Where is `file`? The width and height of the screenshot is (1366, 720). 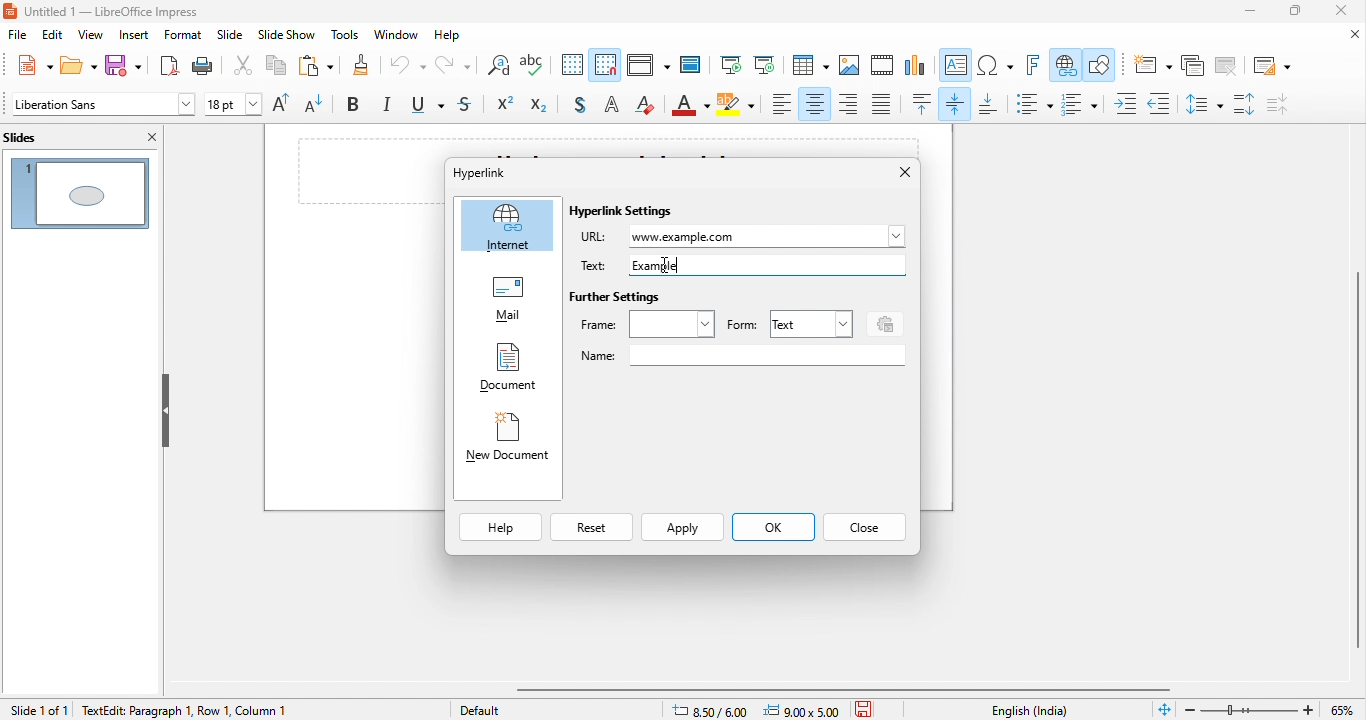
file is located at coordinates (17, 37).